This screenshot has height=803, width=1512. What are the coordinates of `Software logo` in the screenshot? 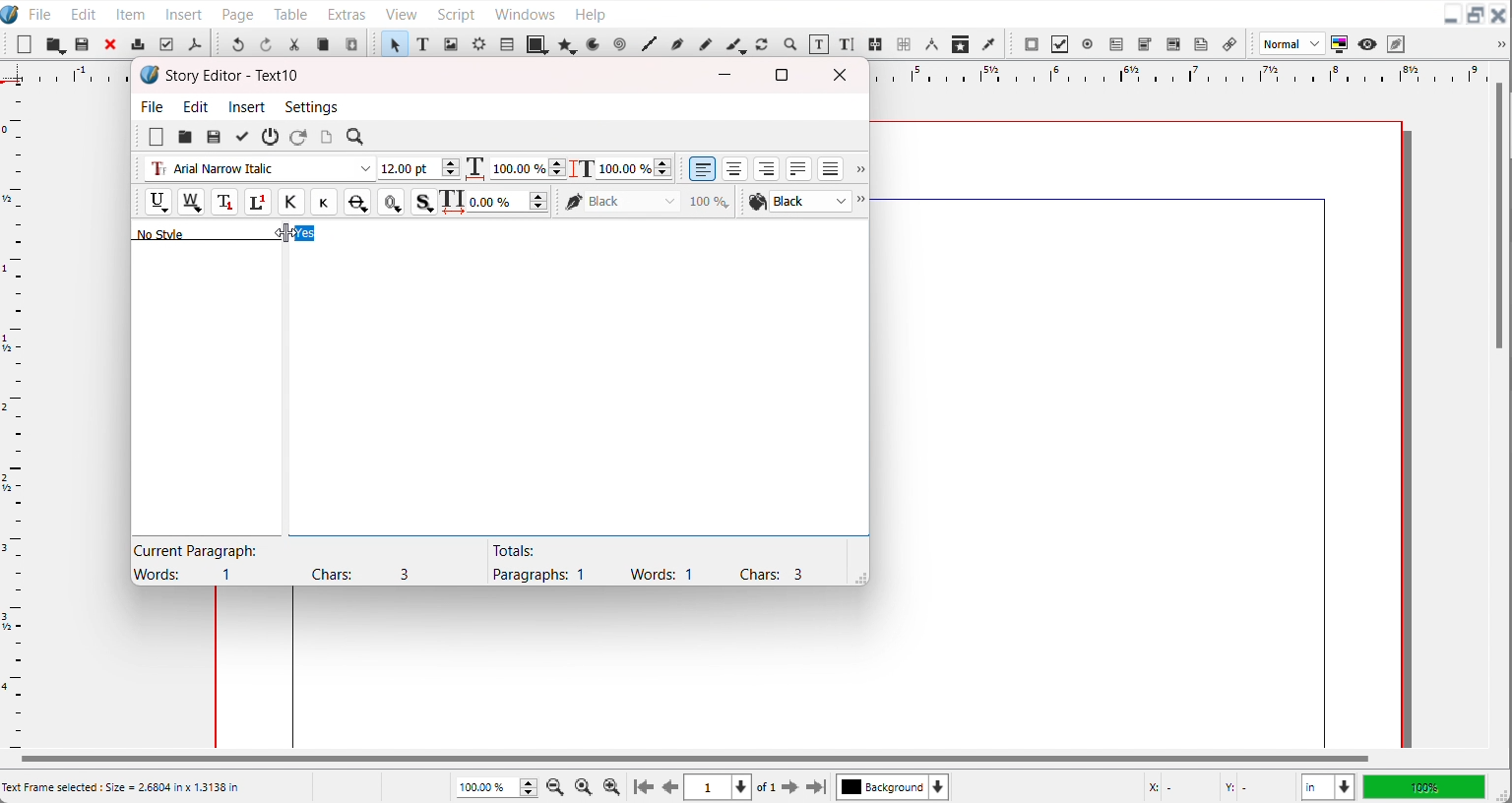 It's located at (150, 75).